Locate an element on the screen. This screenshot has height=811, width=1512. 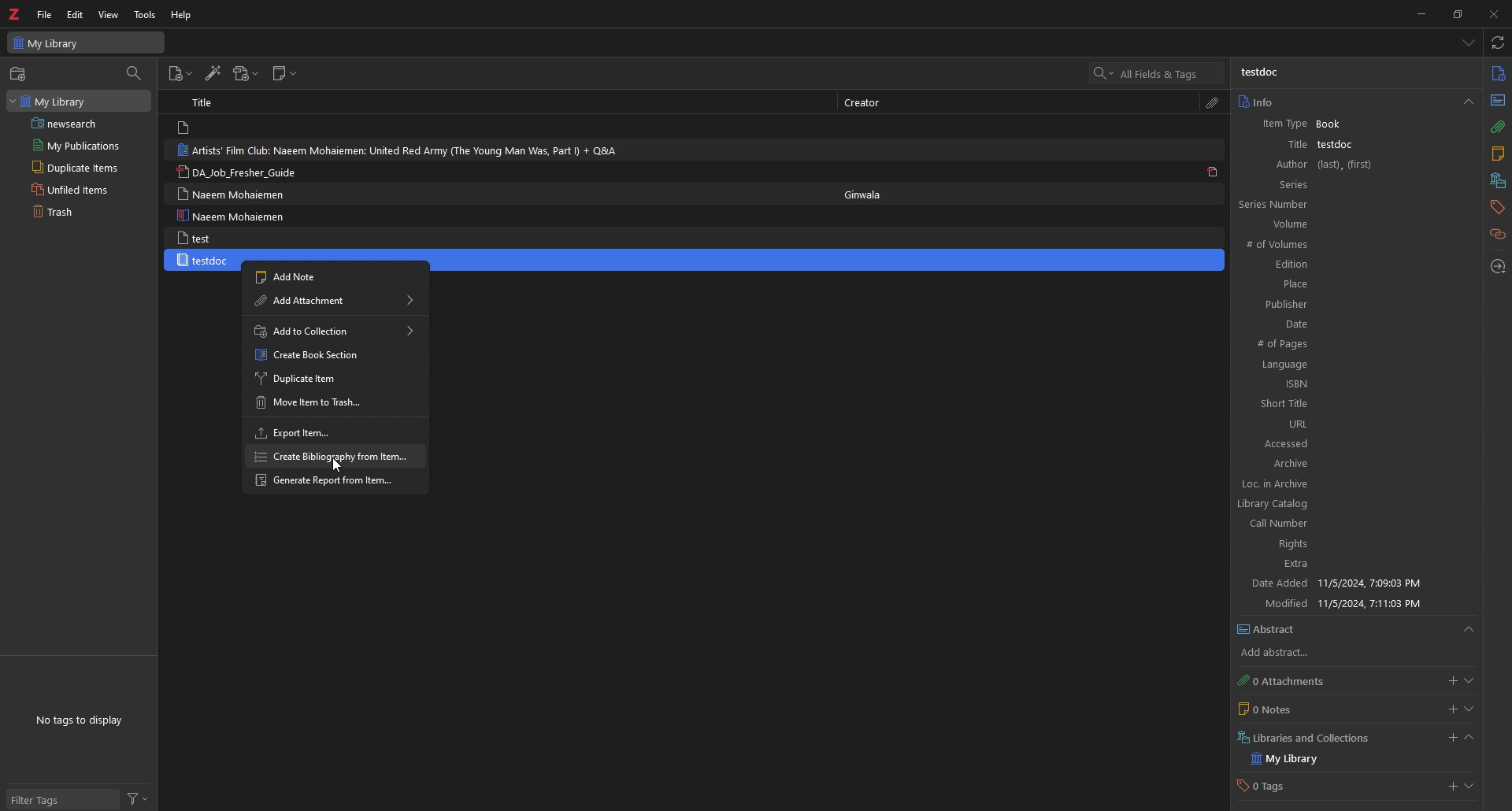
ISBN is located at coordinates (1351, 384).